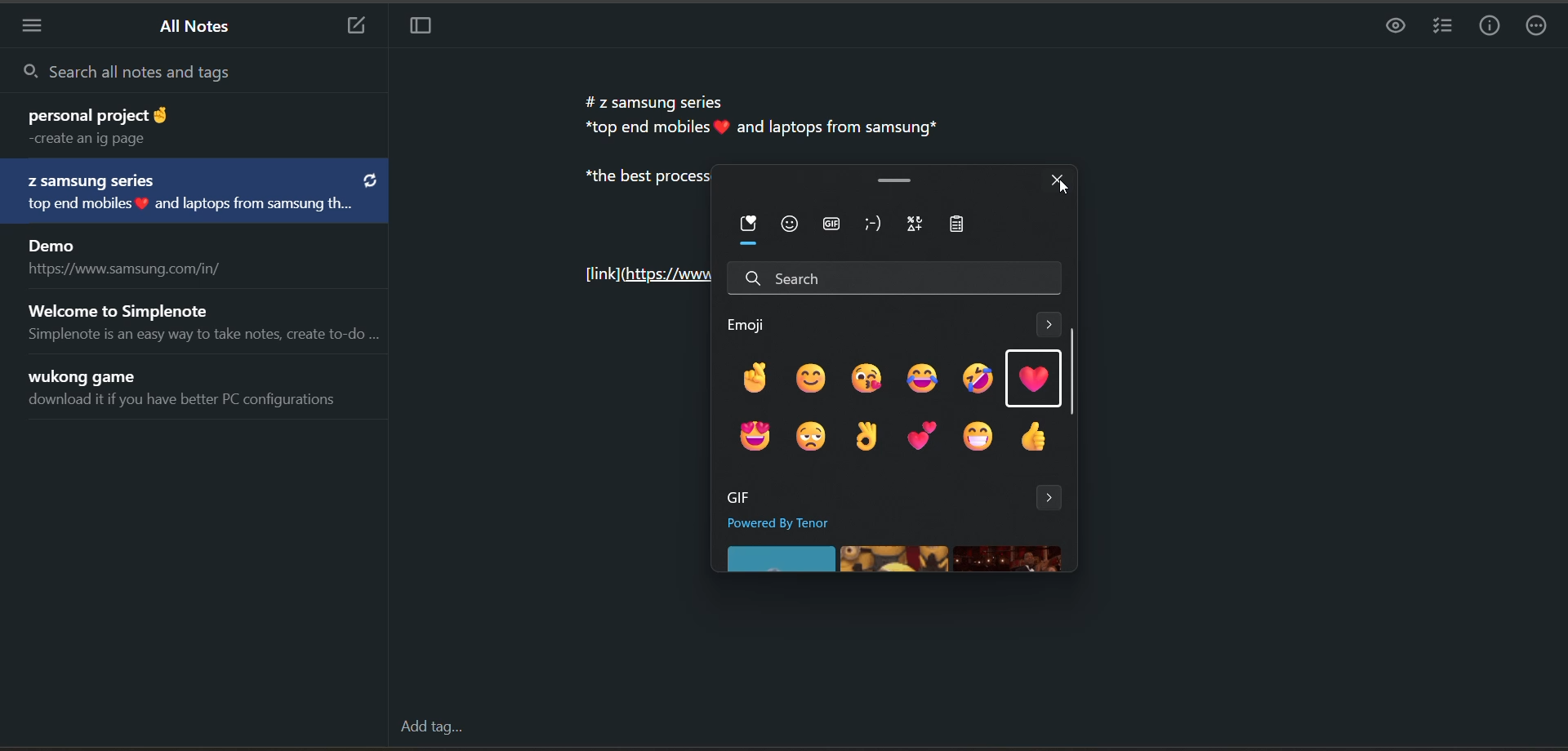  Describe the element at coordinates (431, 727) in the screenshot. I see `add tag` at that location.